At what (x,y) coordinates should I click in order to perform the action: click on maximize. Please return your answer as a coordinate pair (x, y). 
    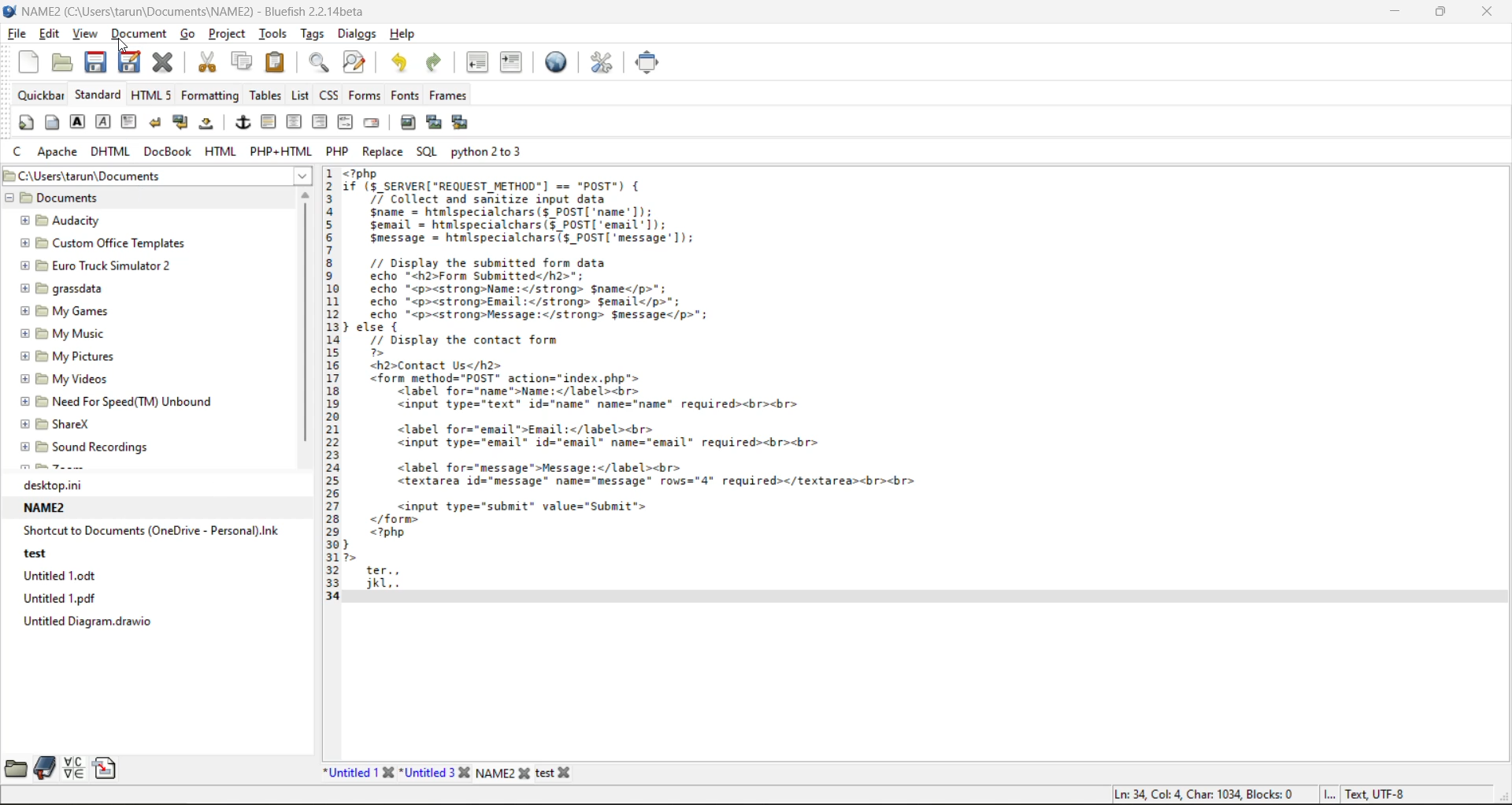
    Looking at the image, I should click on (1440, 13).